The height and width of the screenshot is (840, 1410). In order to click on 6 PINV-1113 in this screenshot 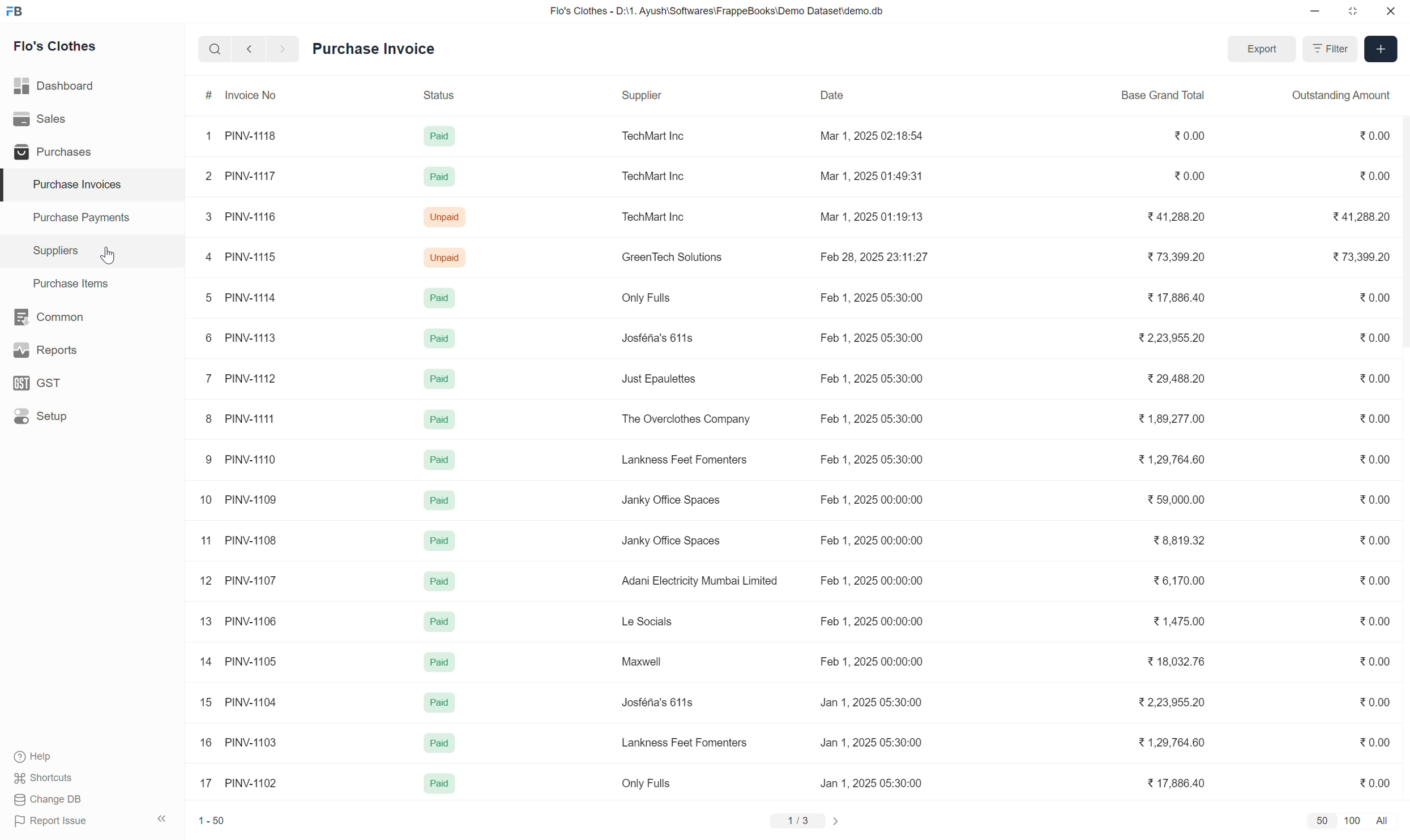, I will do `click(237, 336)`.